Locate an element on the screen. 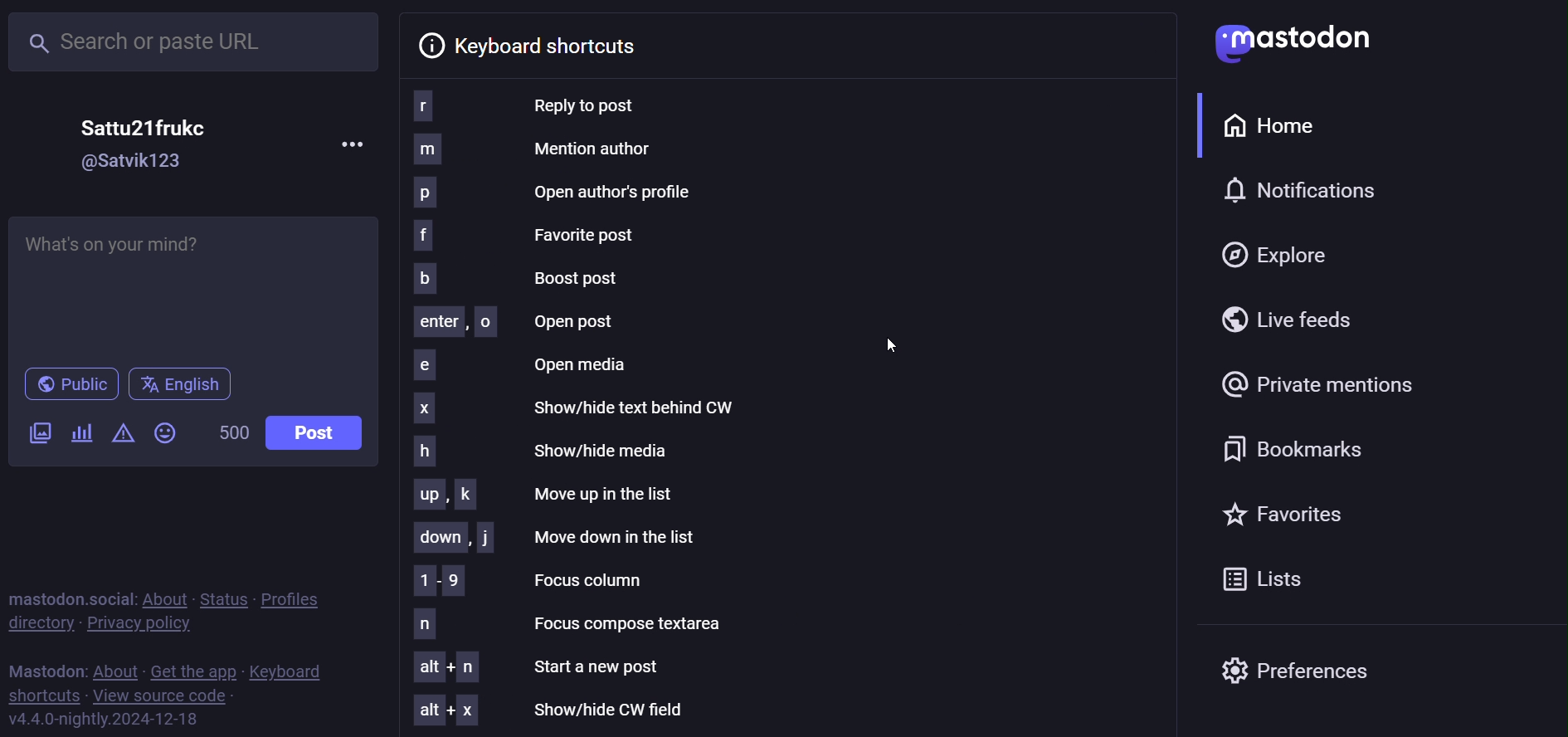 The image size is (1568, 737). focus compose textures is located at coordinates (593, 622).